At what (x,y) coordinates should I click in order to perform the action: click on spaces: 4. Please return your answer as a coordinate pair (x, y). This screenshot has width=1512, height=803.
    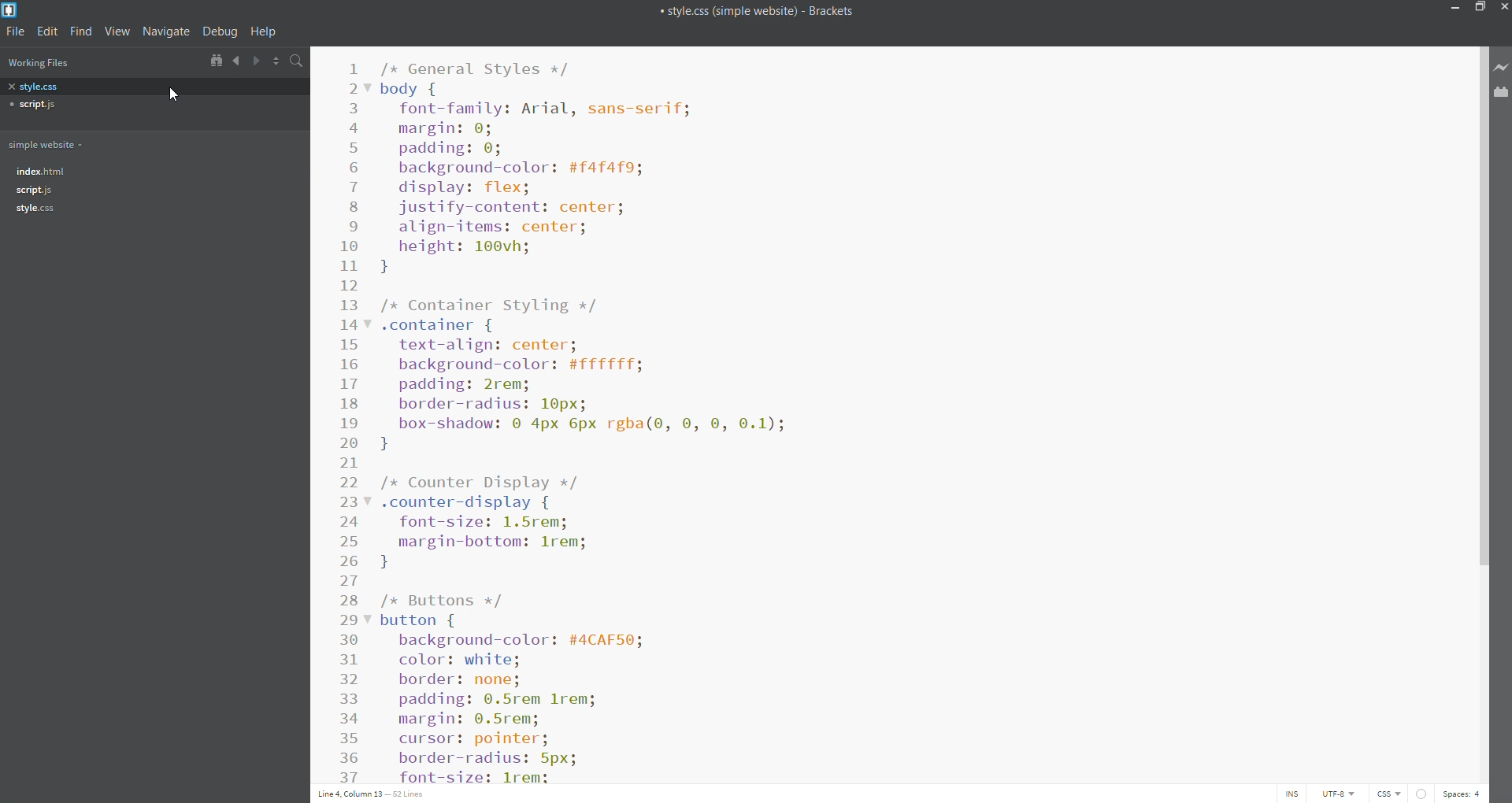
    Looking at the image, I should click on (1466, 791).